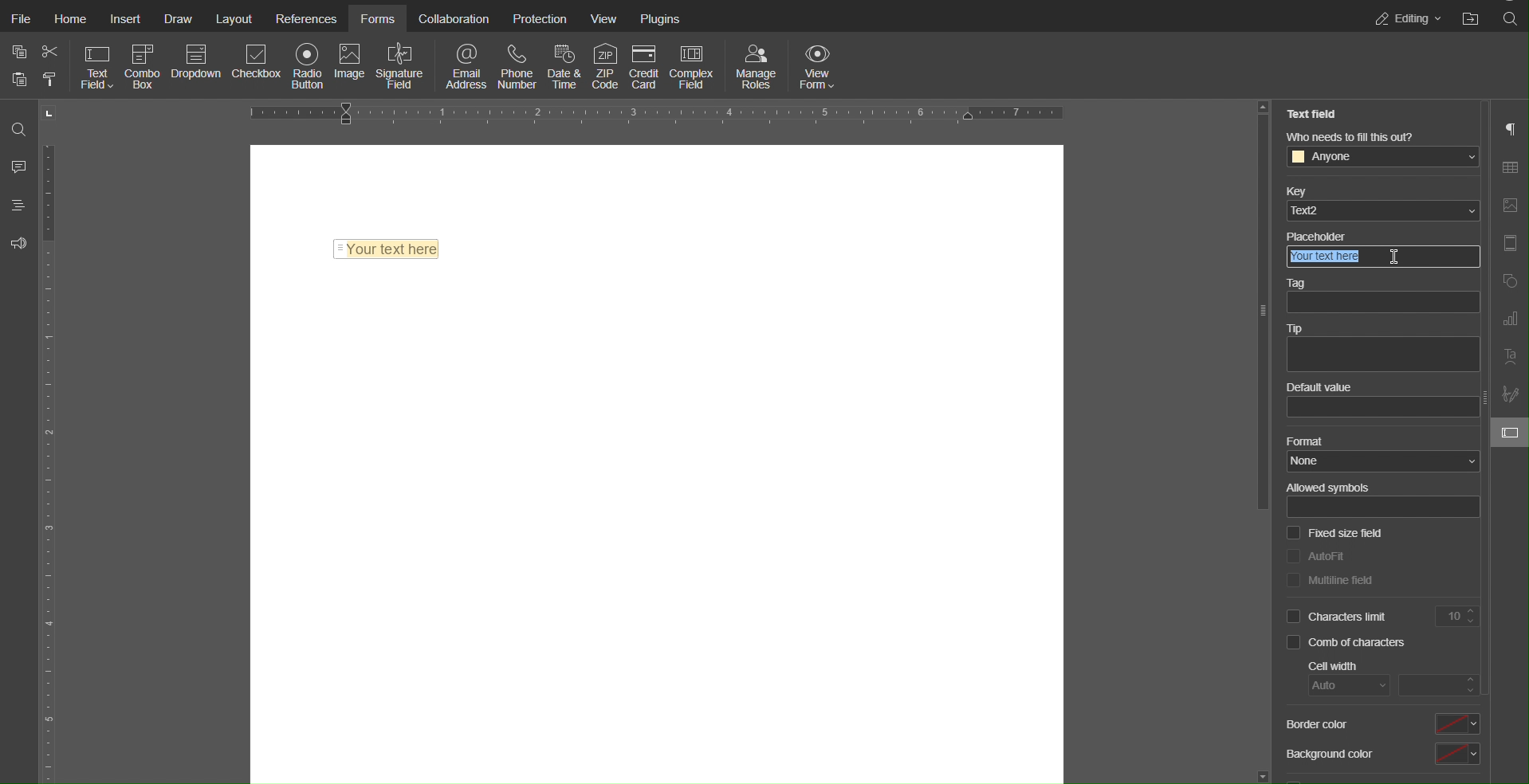 The width and height of the screenshot is (1529, 784). What do you see at coordinates (1459, 615) in the screenshot?
I see `Limit` at bounding box center [1459, 615].